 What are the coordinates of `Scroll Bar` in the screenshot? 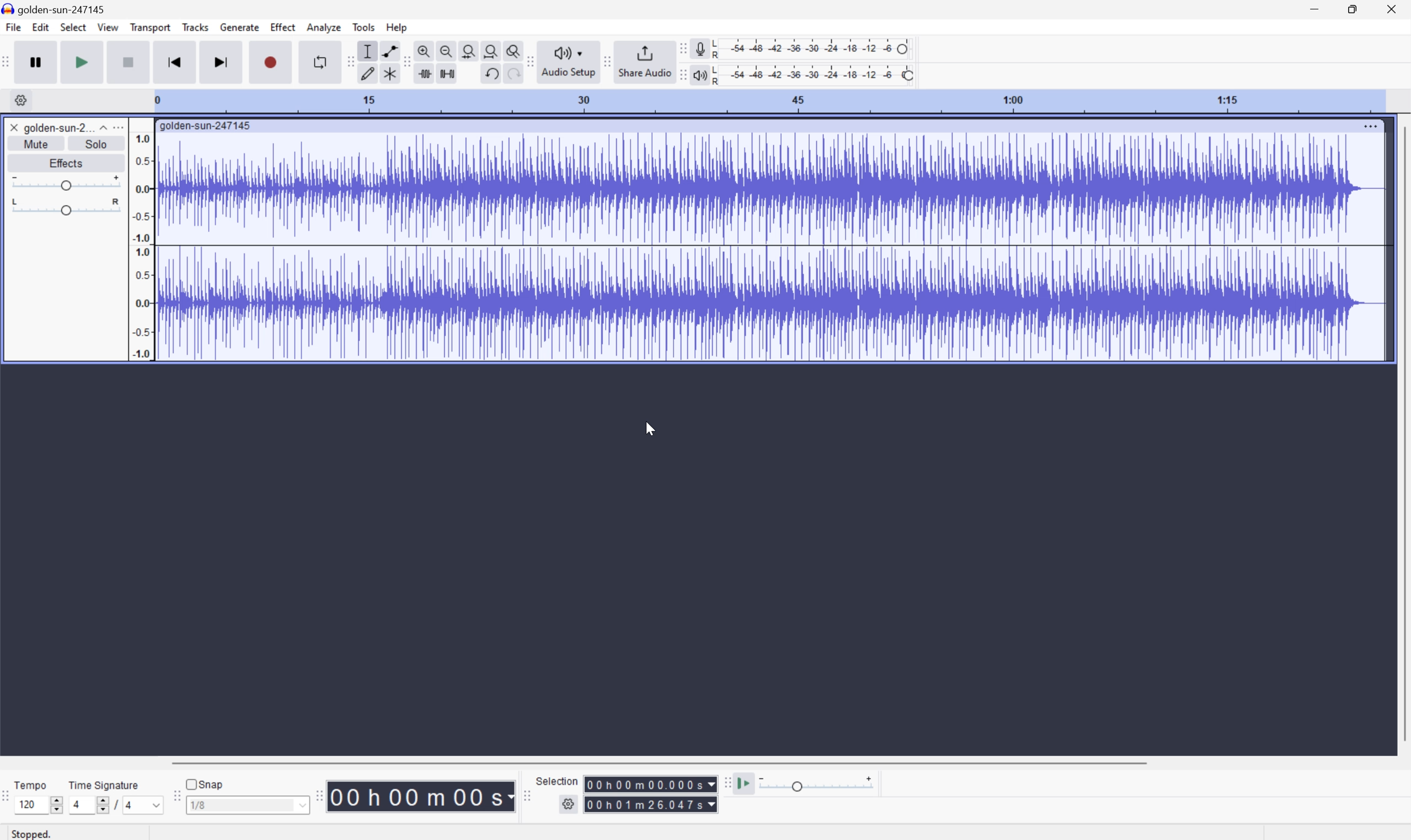 It's located at (1402, 434).